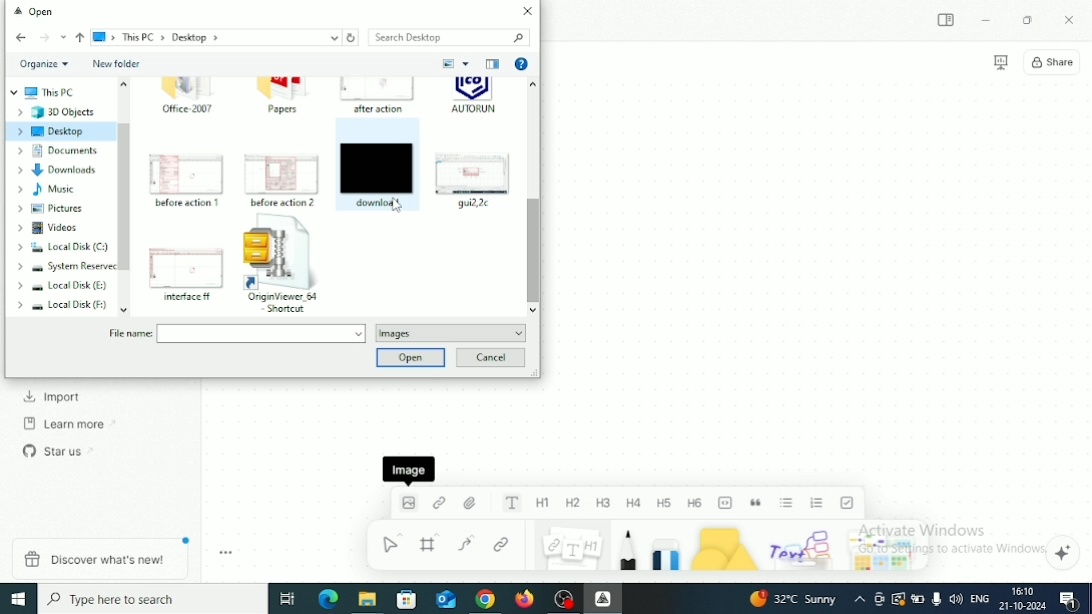 The height and width of the screenshot is (614, 1092). I want to click on 3D Objects, so click(53, 113).